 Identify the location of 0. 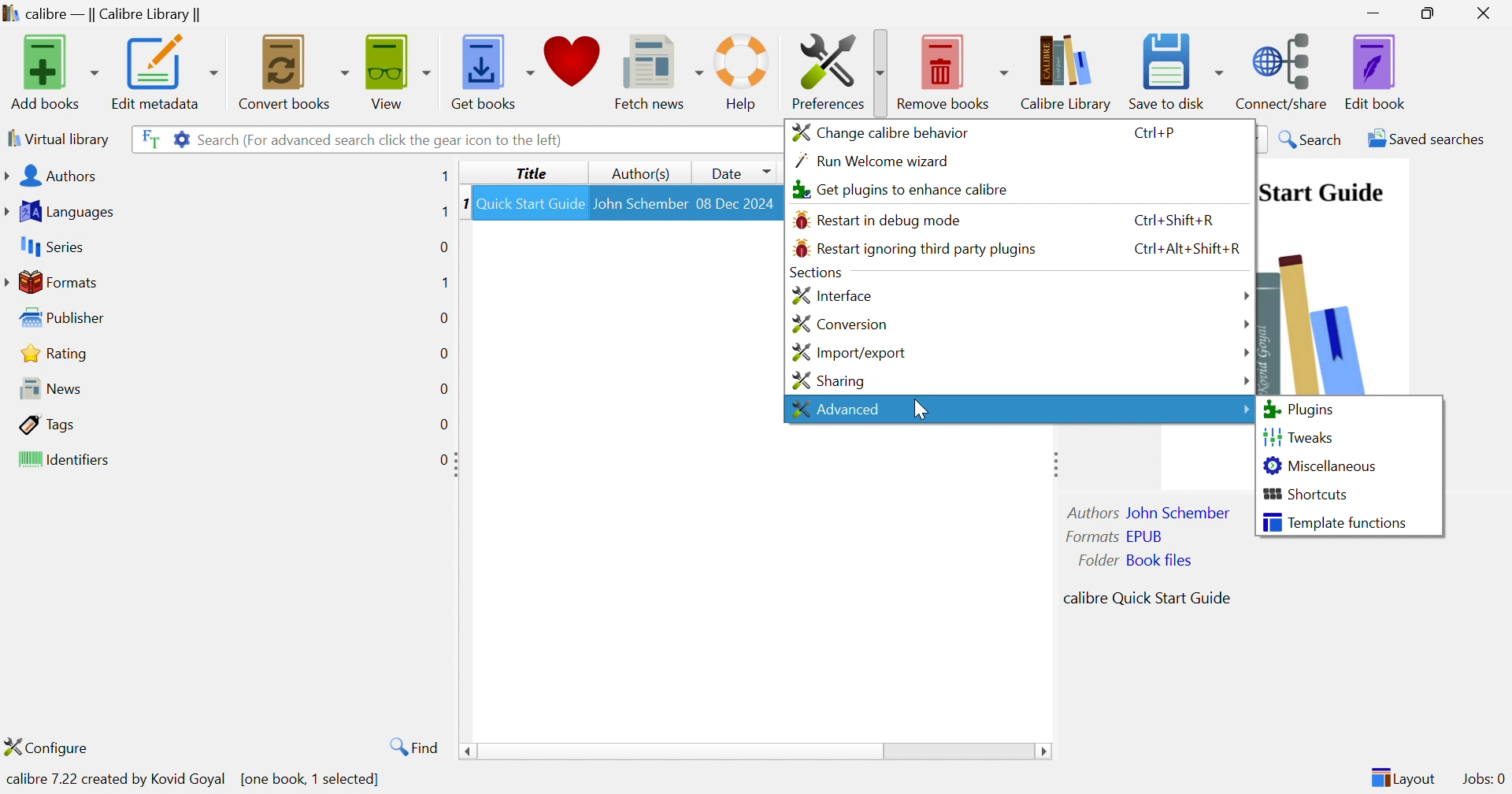
(443, 458).